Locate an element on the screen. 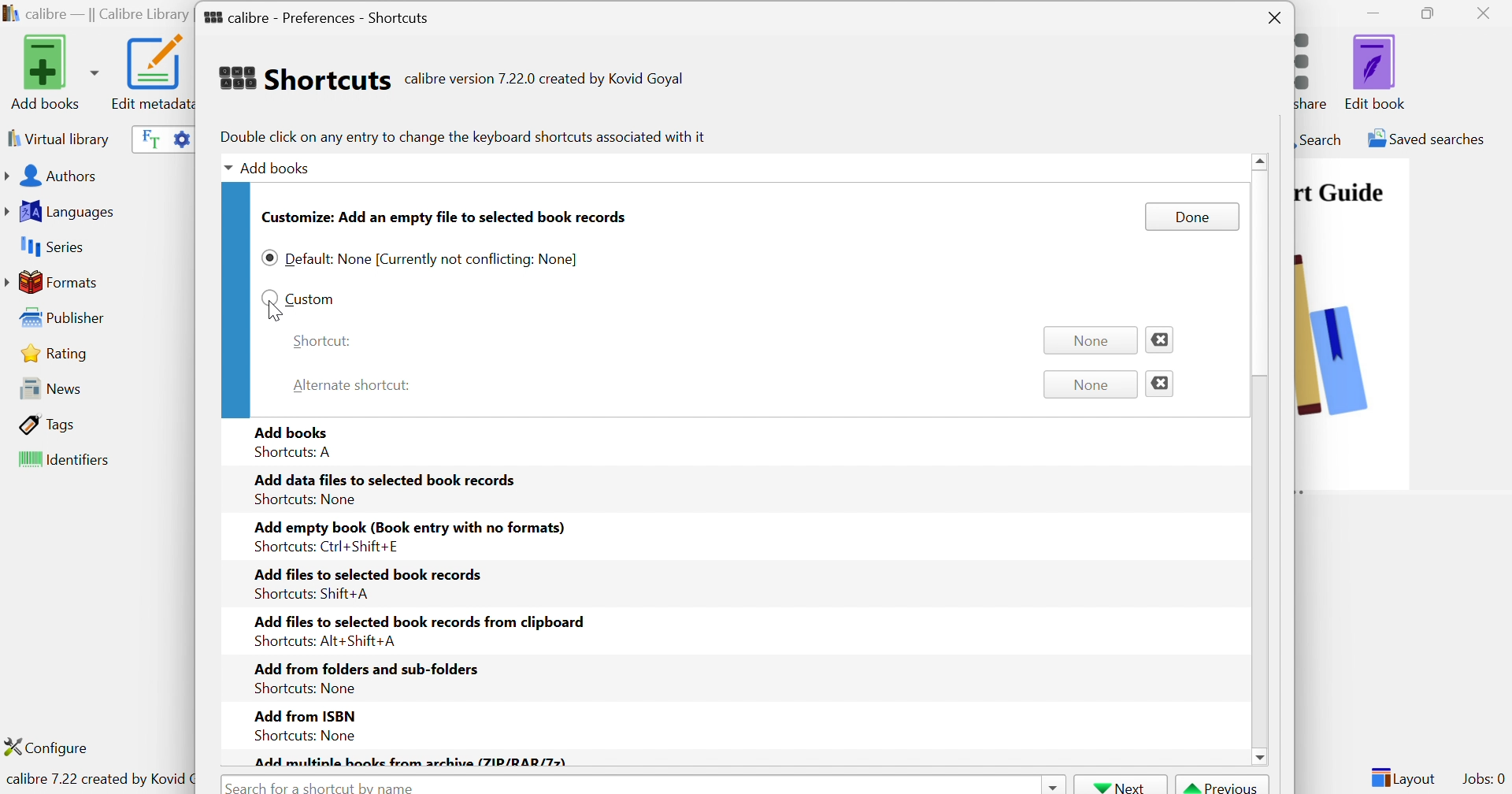 This screenshot has height=794, width=1512. Saved searches is located at coordinates (1425, 139).